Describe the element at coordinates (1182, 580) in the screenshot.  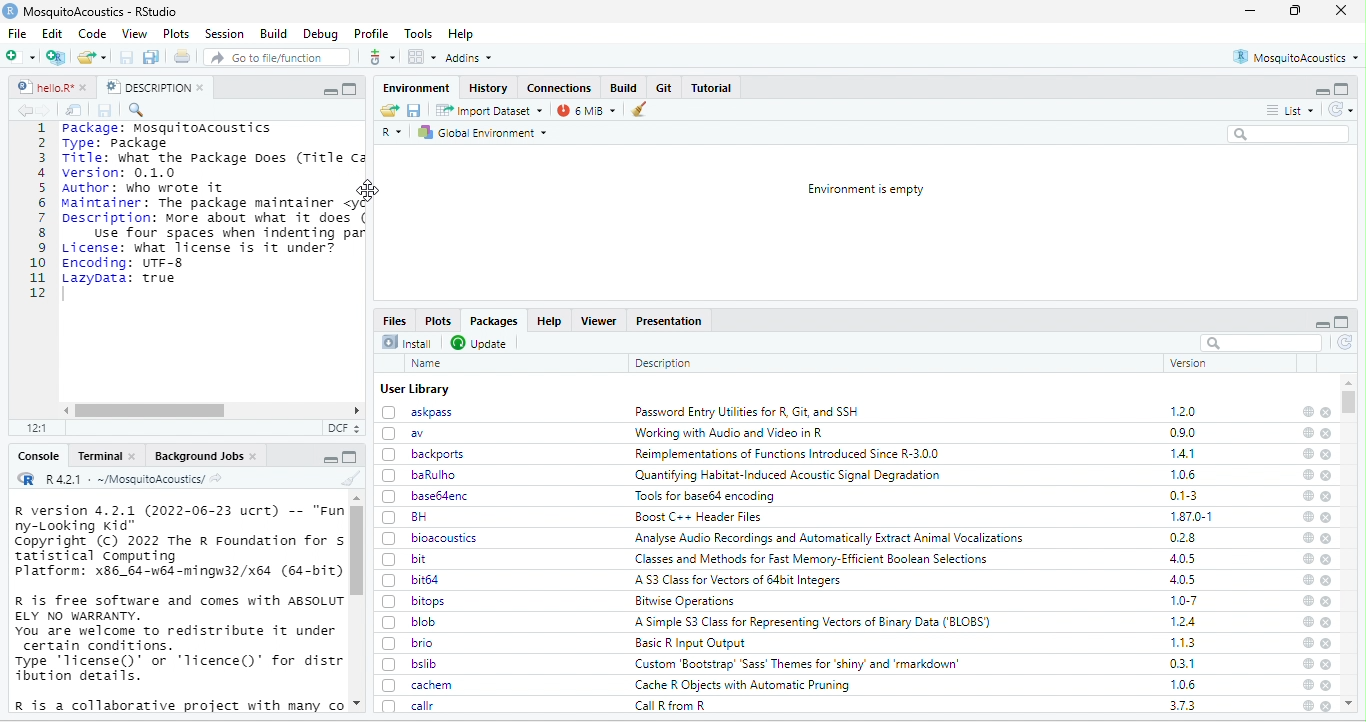
I see `4.0.5` at that location.